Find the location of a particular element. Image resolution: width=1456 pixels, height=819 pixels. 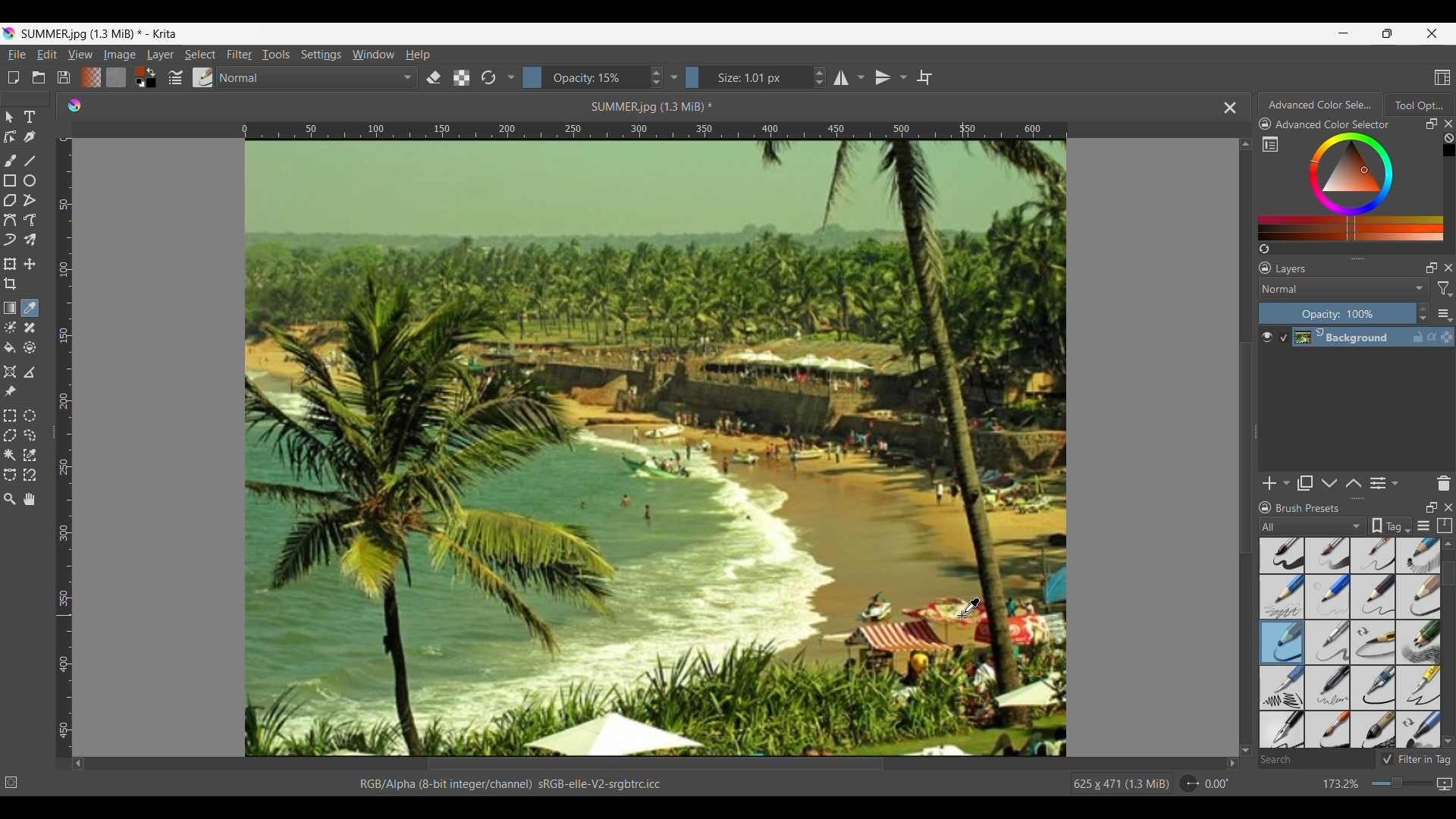

Close is located at coordinates (1449, 507).